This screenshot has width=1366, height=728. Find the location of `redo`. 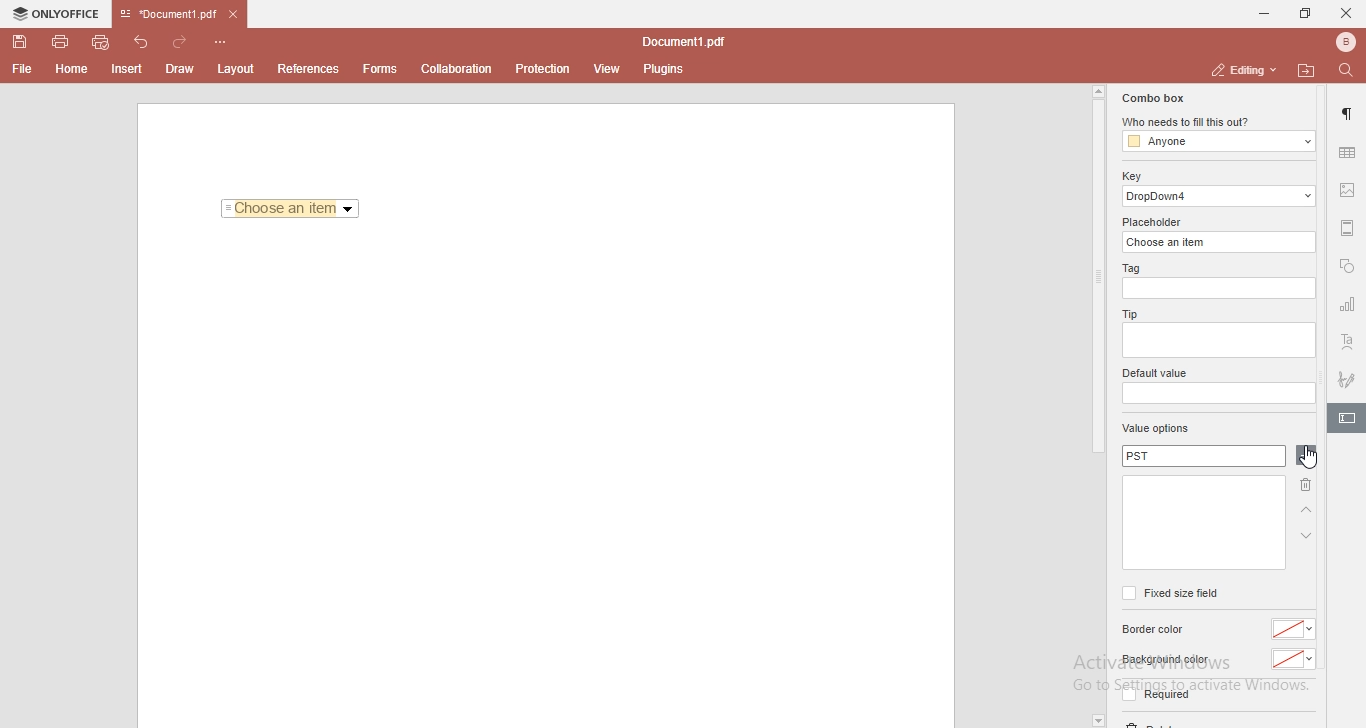

redo is located at coordinates (184, 38).